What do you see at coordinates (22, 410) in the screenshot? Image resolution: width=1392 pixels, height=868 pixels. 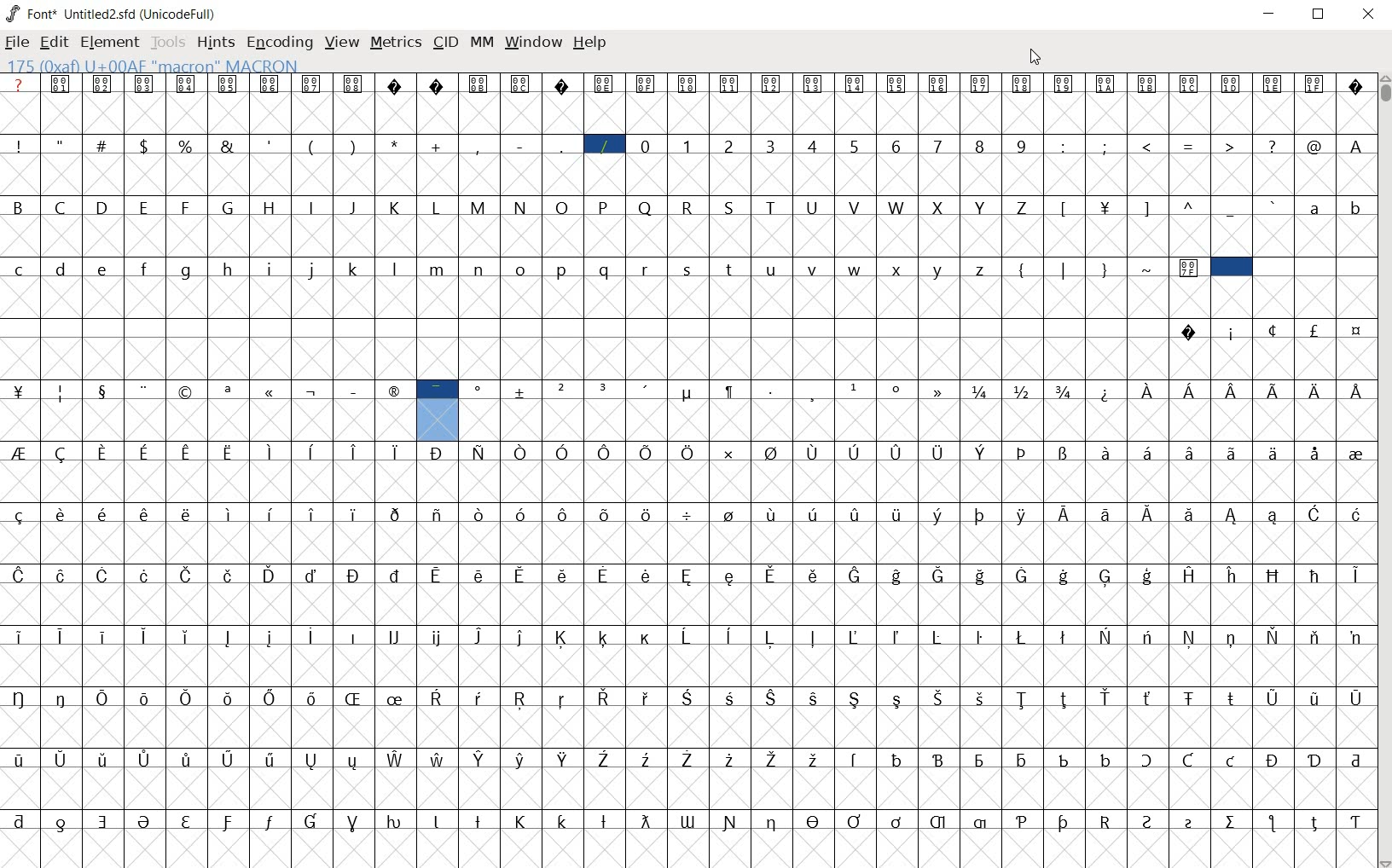 I see `currency (yen)` at bounding box center [22, 410].